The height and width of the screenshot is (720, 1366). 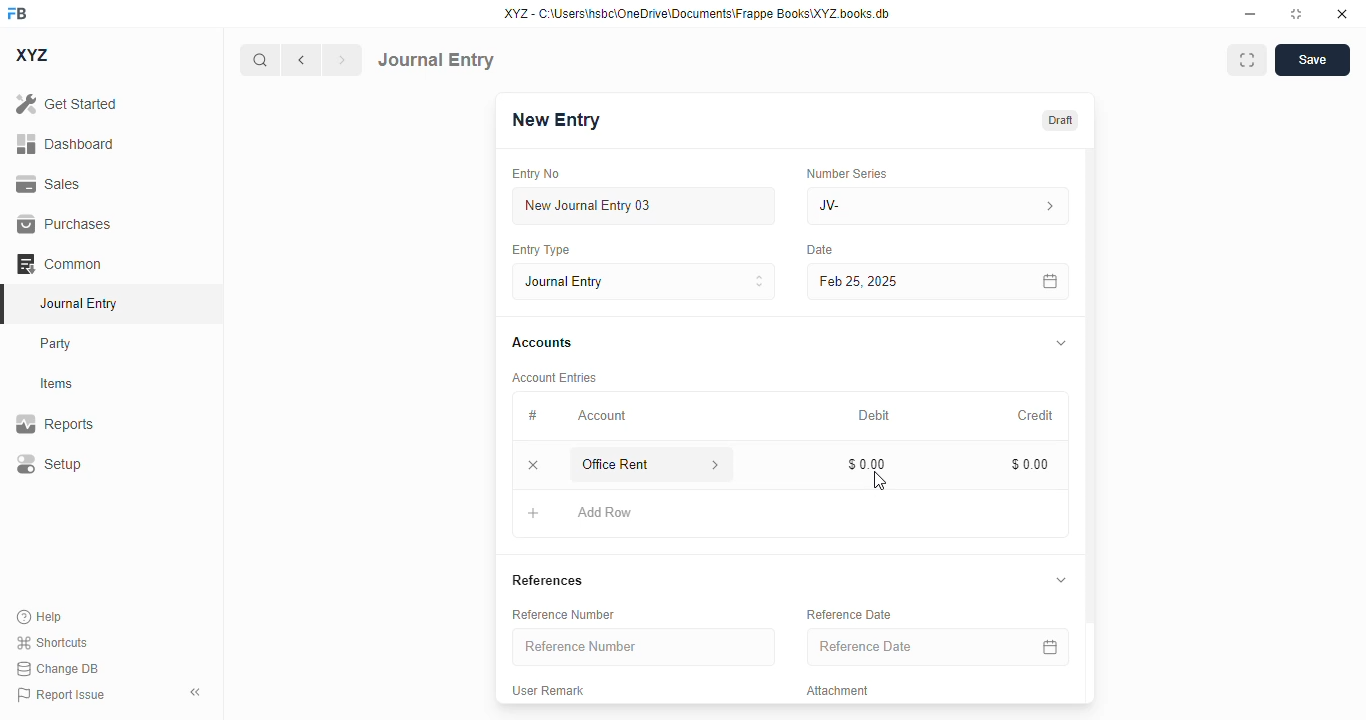 I want to click on reference number, so click(x=563, y=615).